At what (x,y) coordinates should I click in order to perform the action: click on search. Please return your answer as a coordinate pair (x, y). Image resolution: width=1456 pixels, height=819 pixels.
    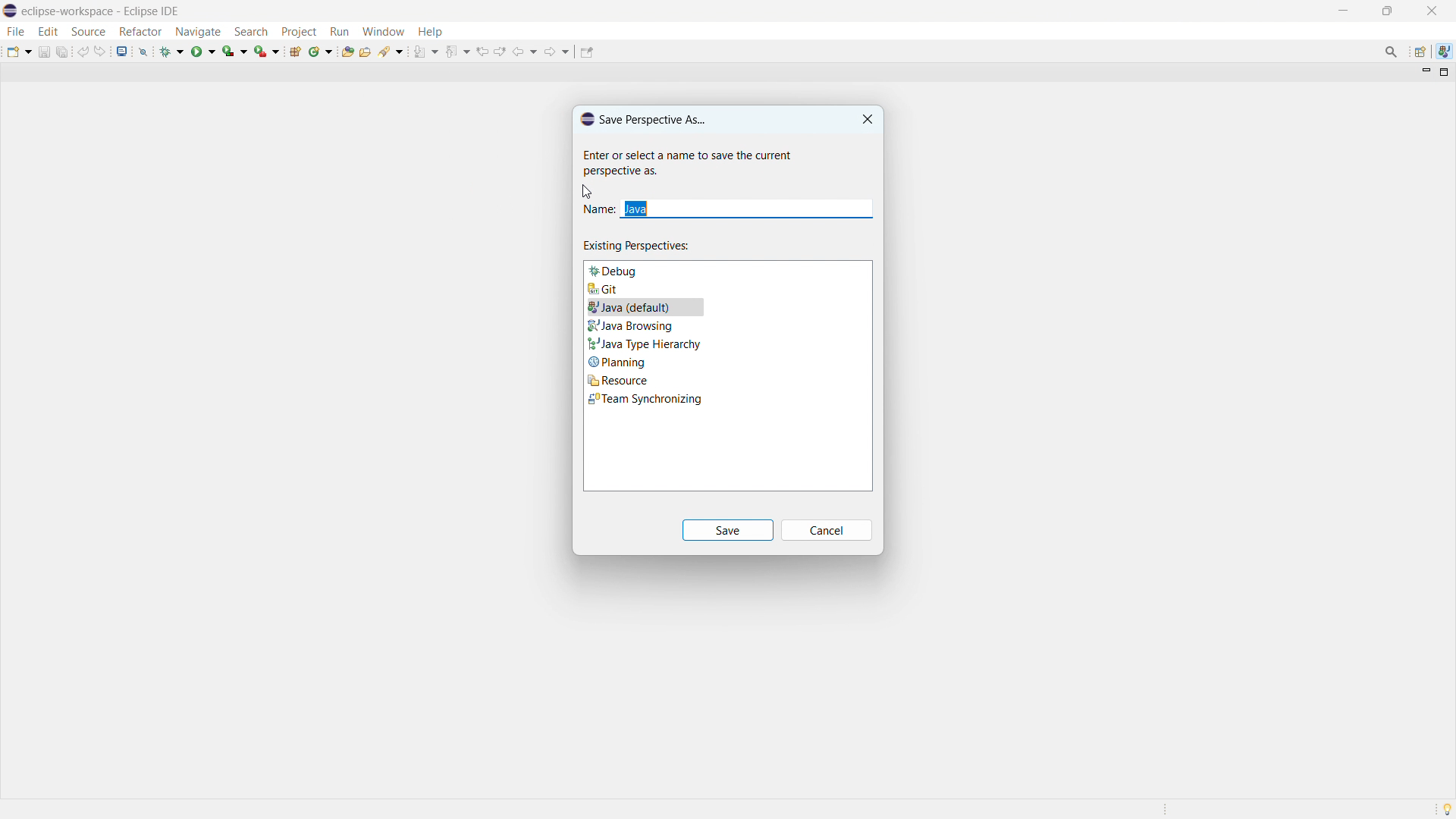
    Looking at the image, I should click on (251, 31).